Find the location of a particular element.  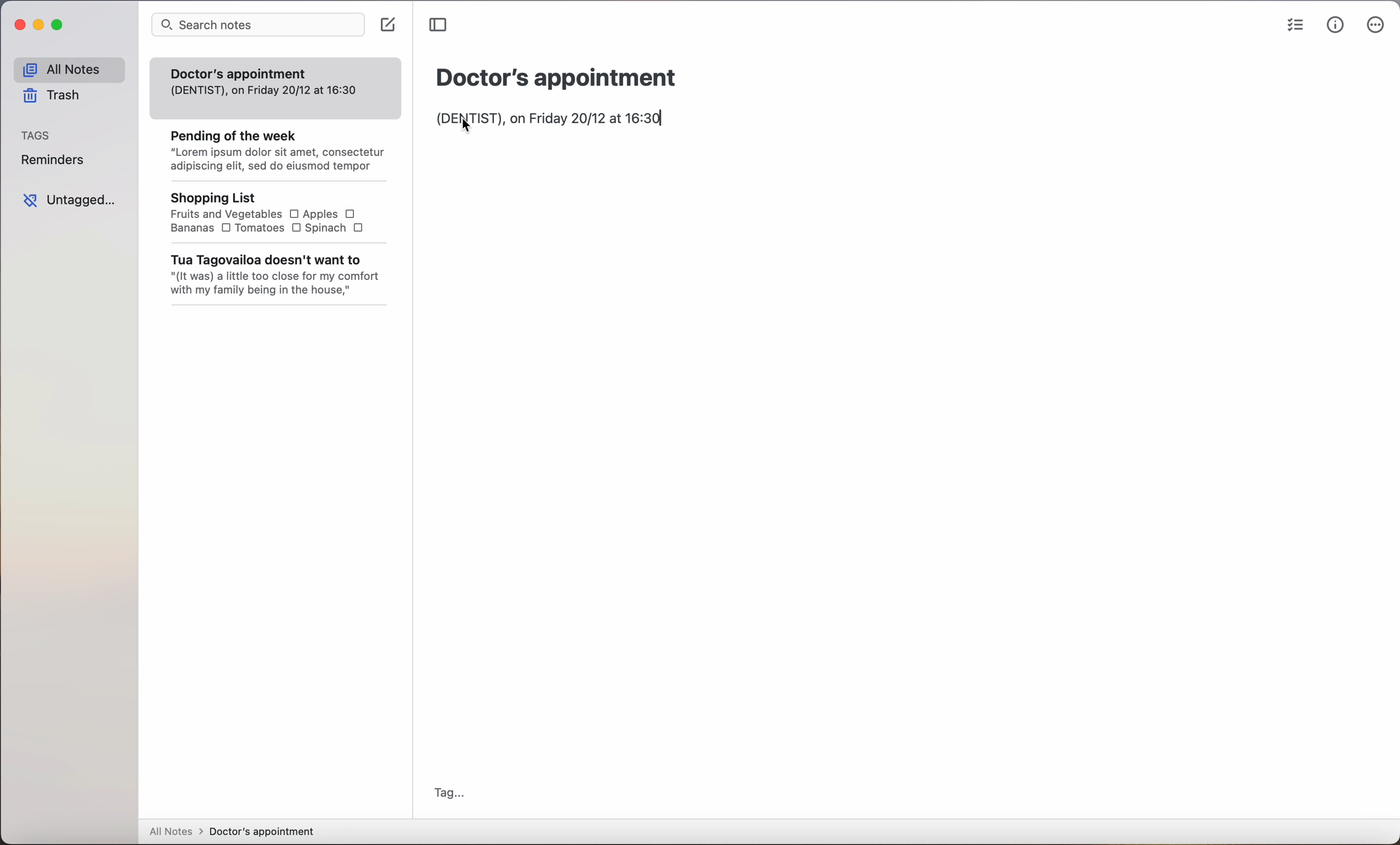

Shopping List Fruits and Vegetables O Apples OBananas O Tomatoes O Spinach O is located at coordinates (261, 212).